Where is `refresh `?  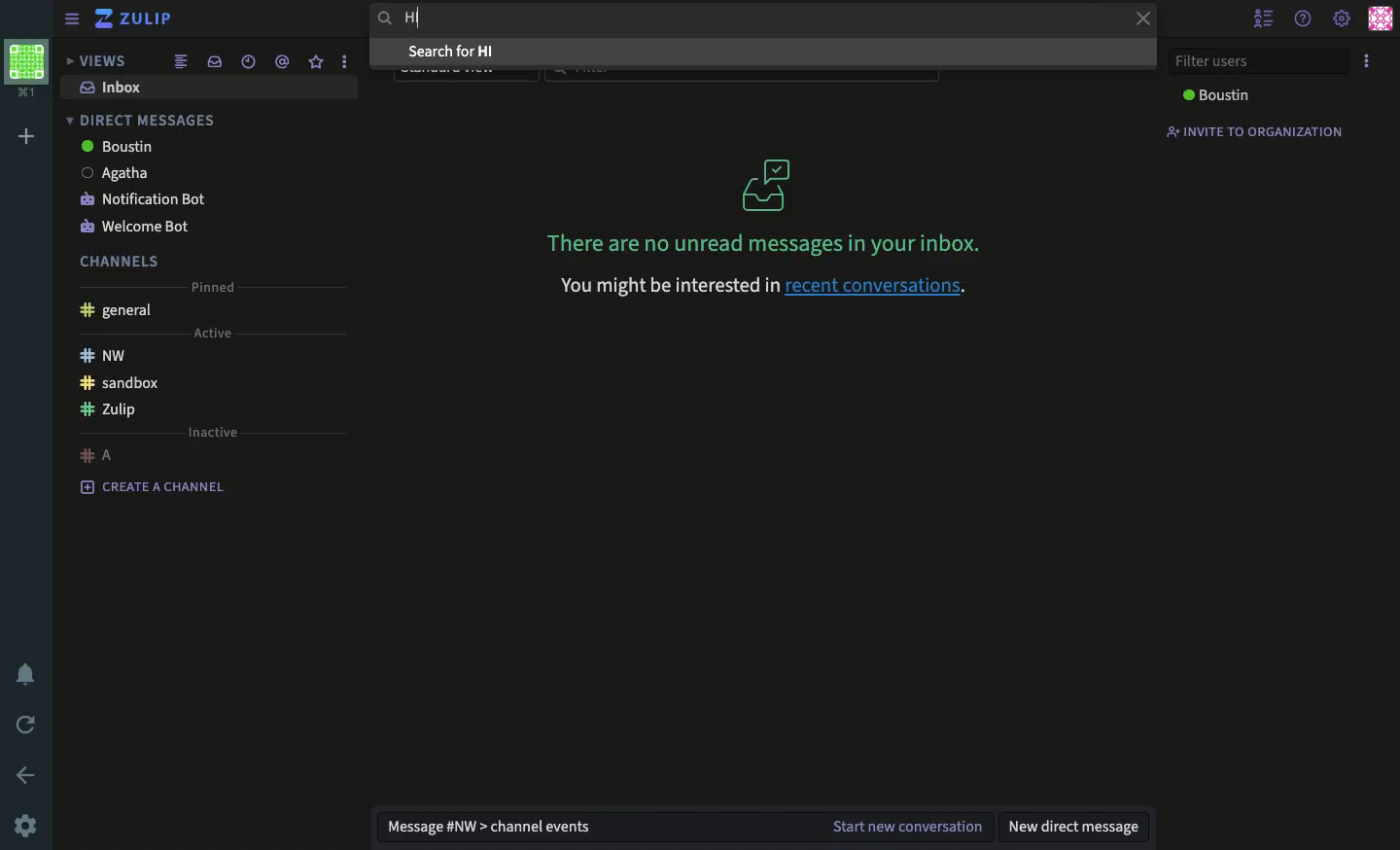
refresh  is located at coordinates (28, 722).